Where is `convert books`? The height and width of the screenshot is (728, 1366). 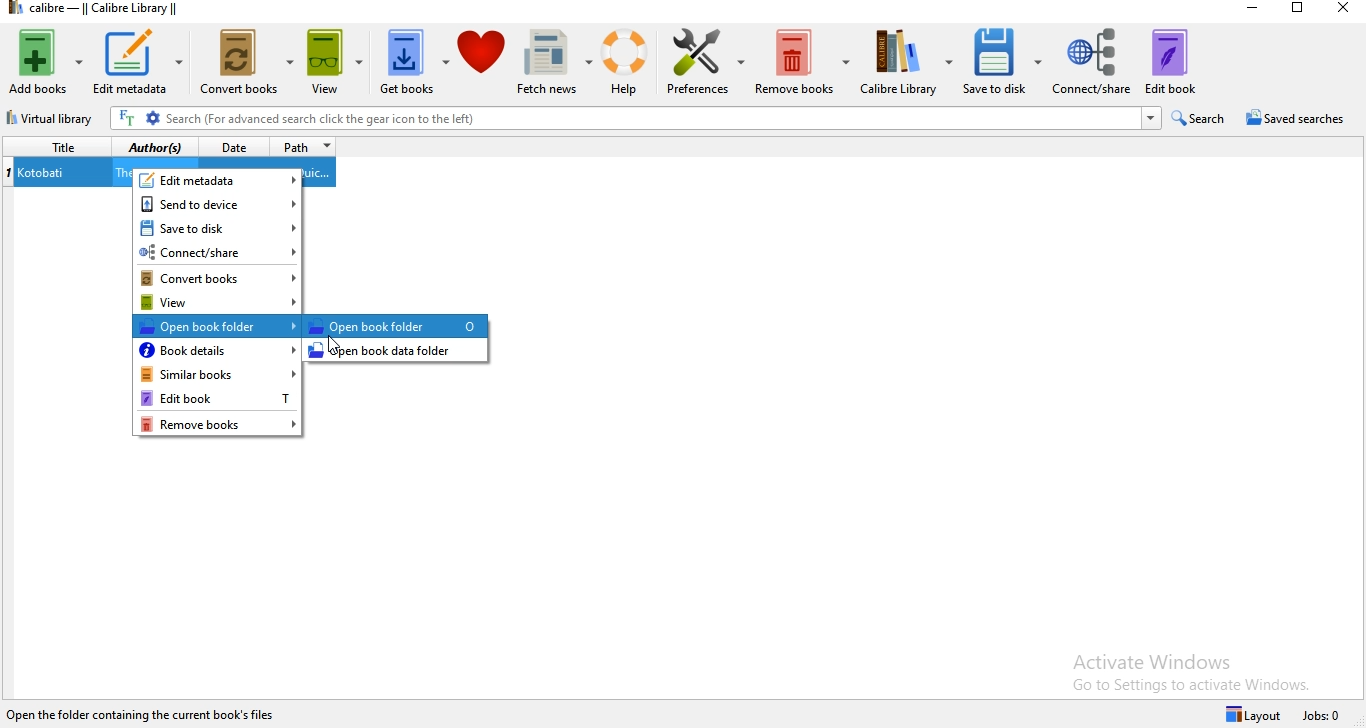 convert books is located at coordinates (247, 65).